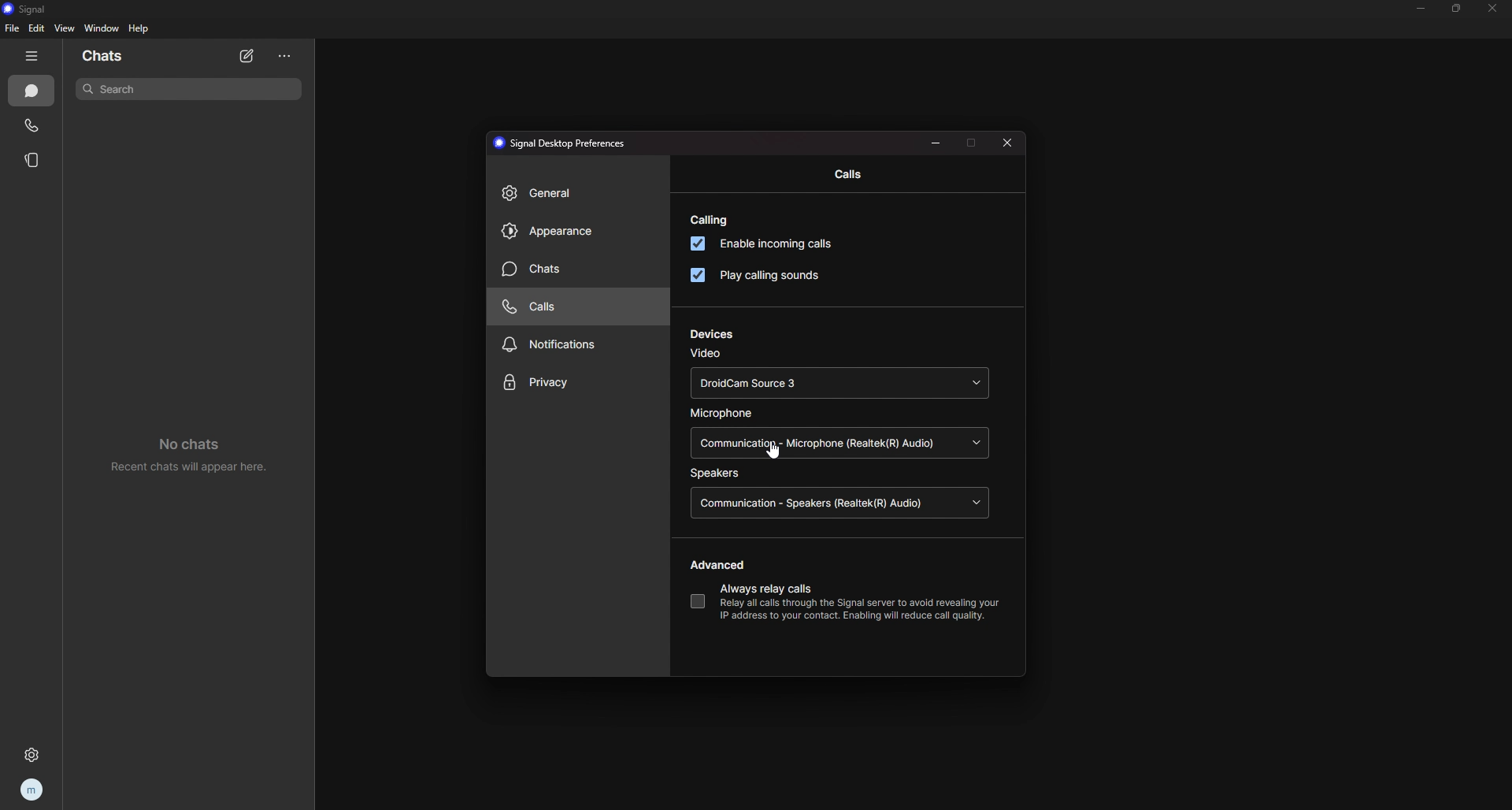 This screenshot has height=810, width=1512. Describe the element at coordinates (65, 28) in the screenshot. I see `view` at that location.